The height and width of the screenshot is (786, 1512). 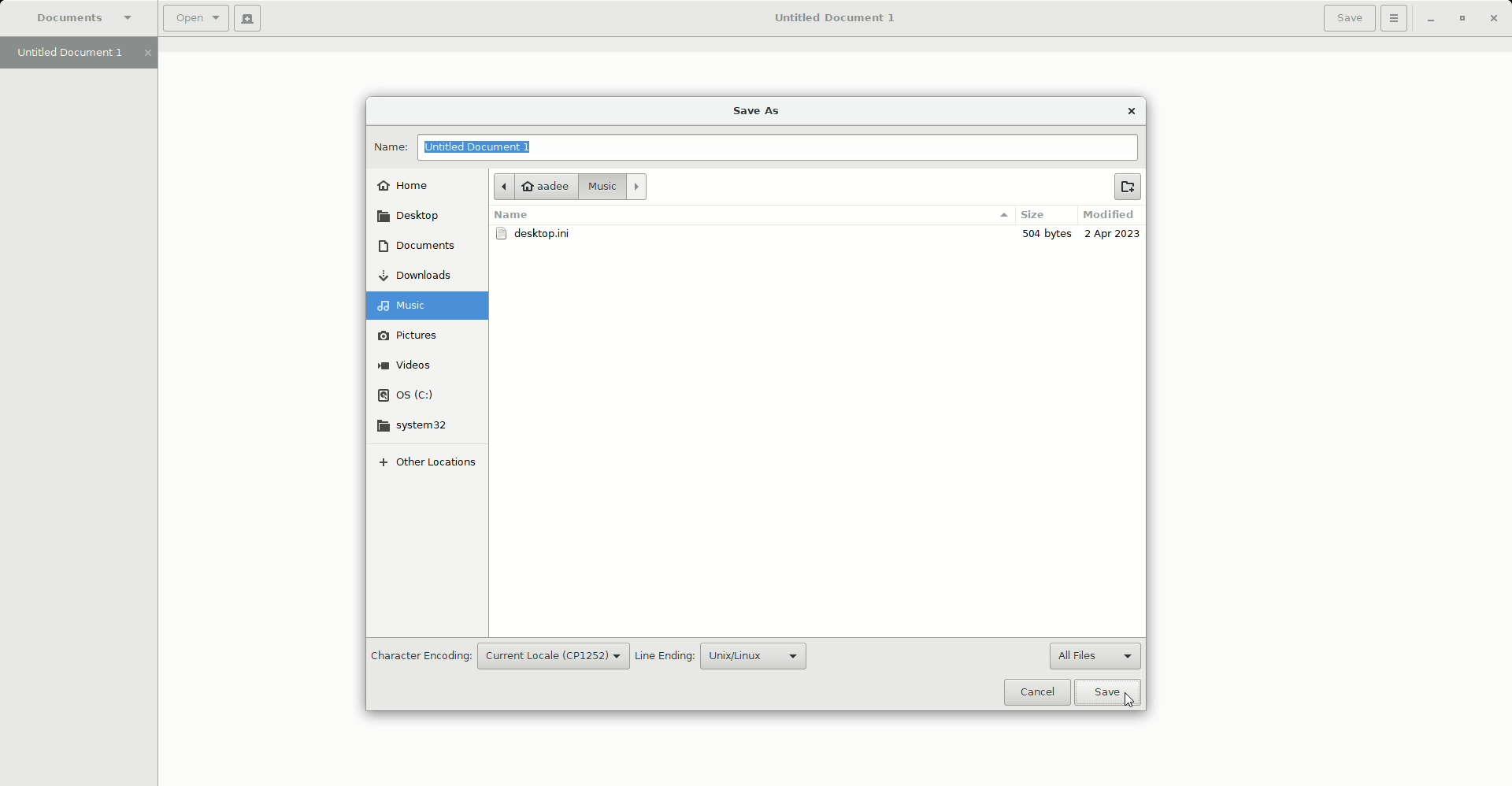 I want to click on 300 bytes, so click(x=1044, y=235).